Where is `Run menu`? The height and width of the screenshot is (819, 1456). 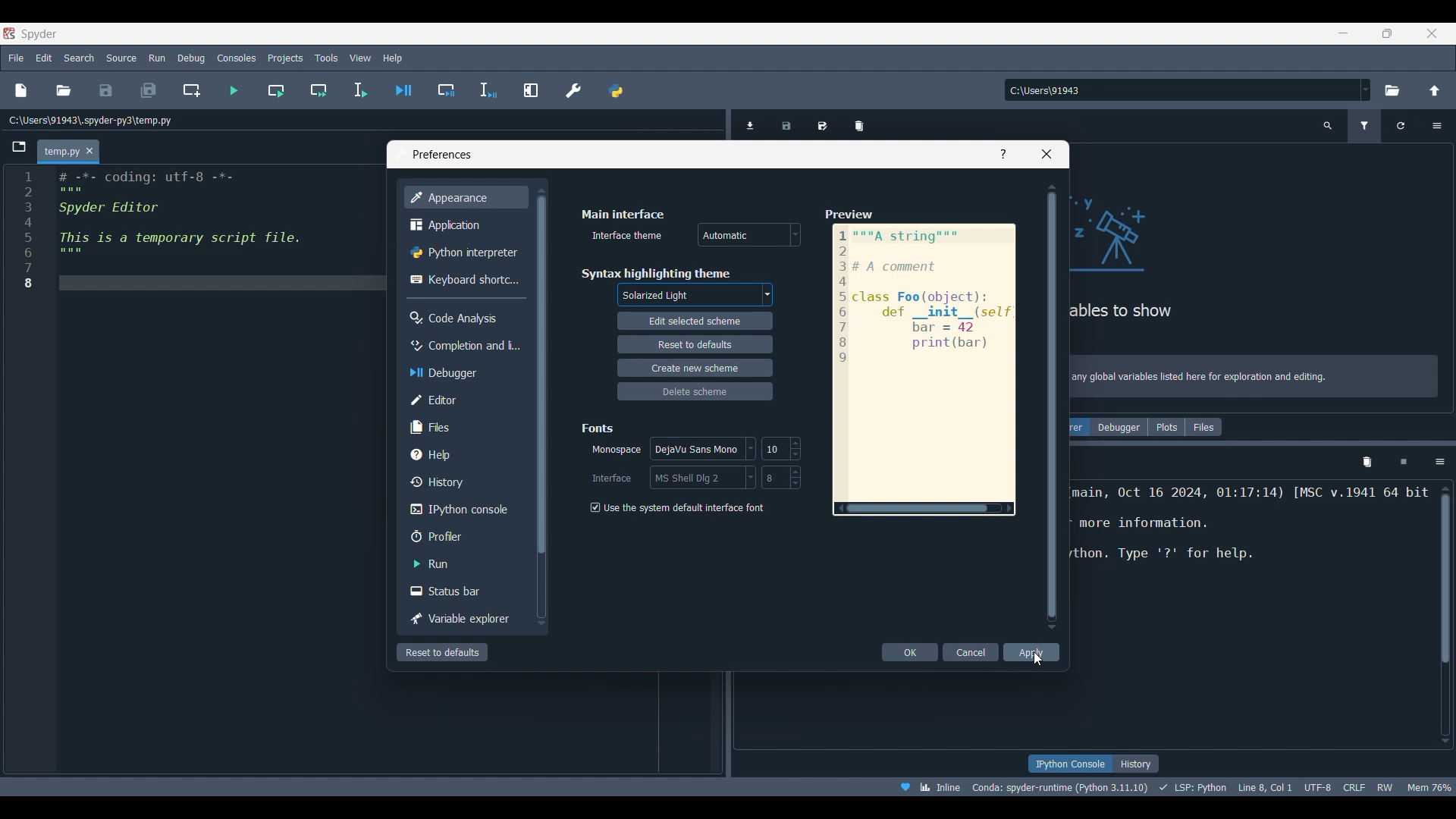 Run menu is located at coordinates (158, 58).